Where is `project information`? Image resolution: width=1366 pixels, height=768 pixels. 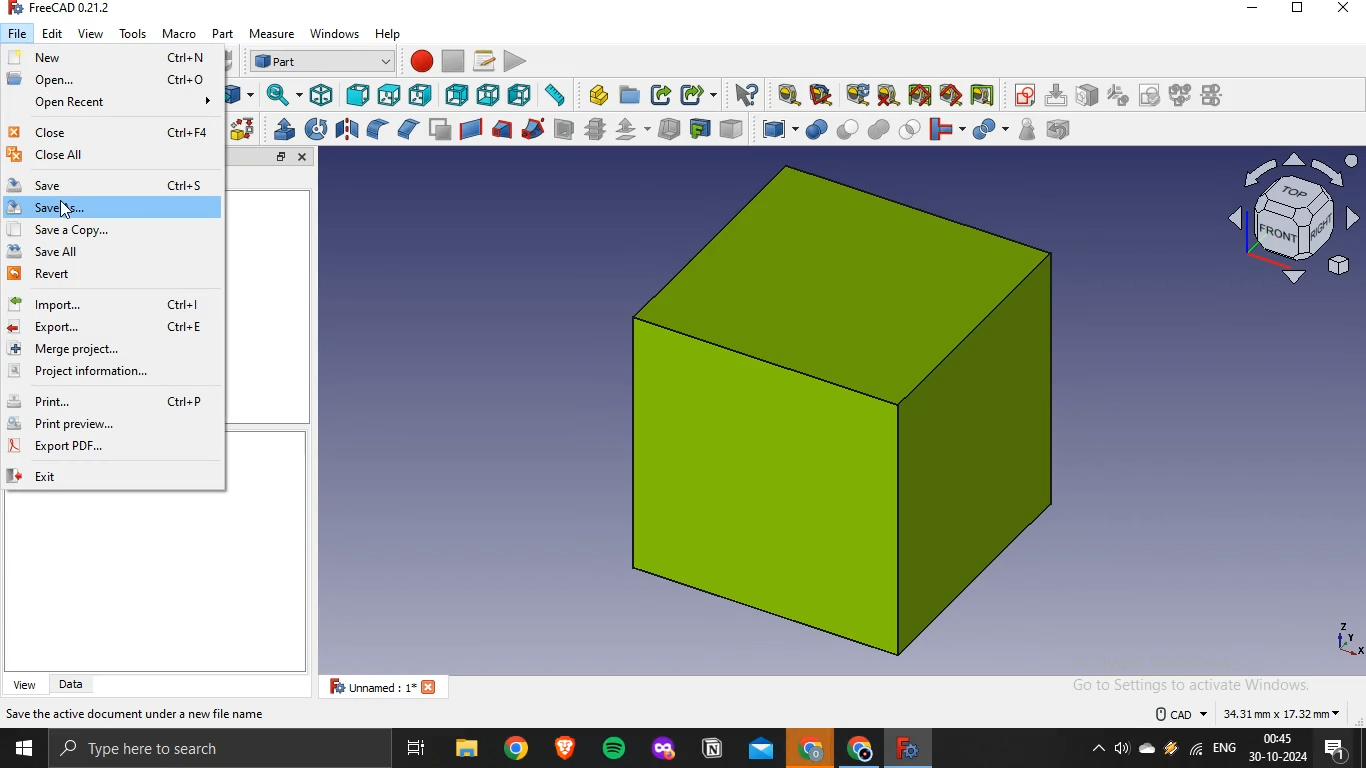
project information is located at coordinates (111, 374).